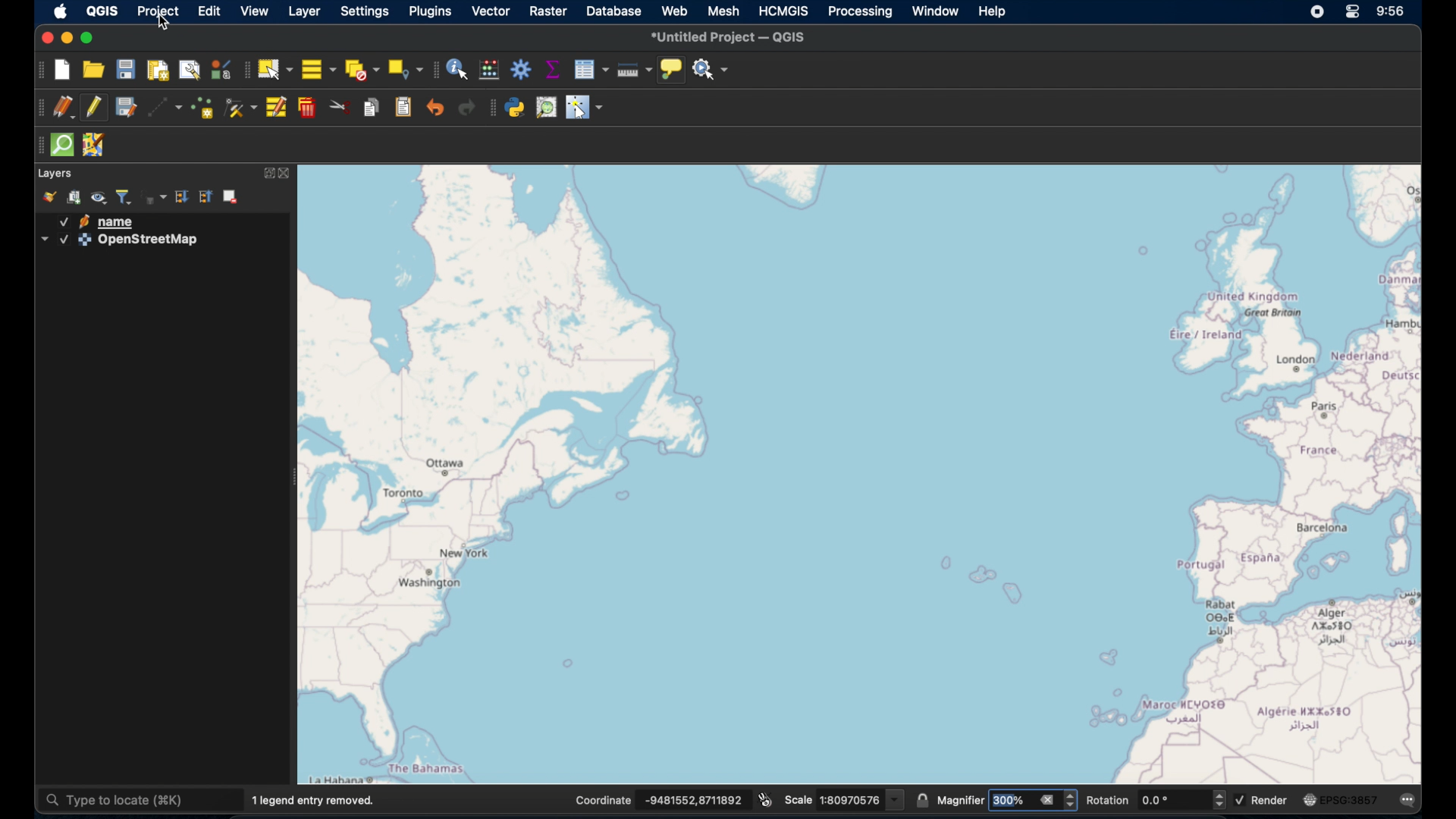 This screenshot has width=1456, height=819. I want to click on scale, so click(846, 799).